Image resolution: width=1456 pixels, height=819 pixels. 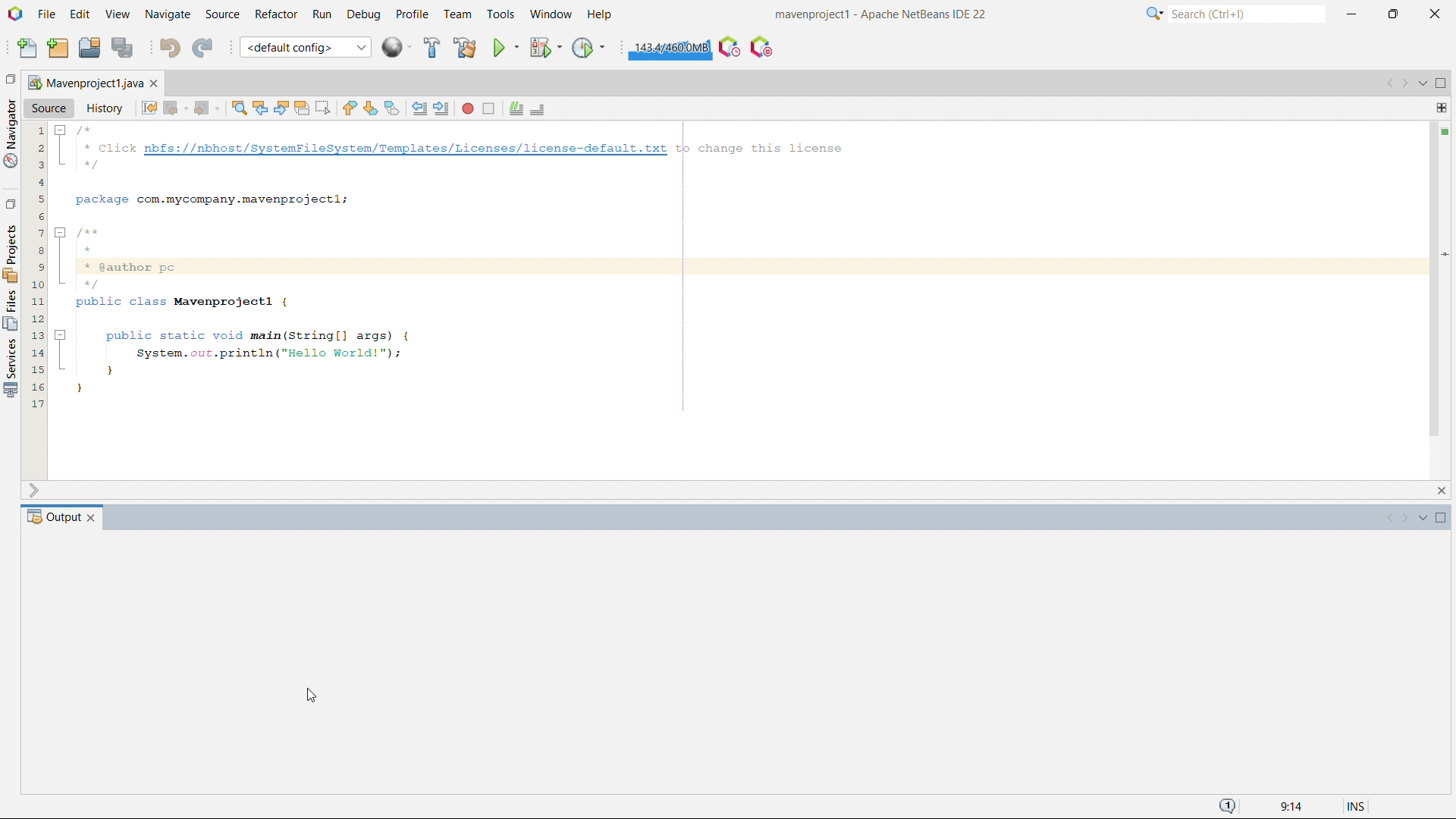 What do you see at coordinates (704, 255) in the screenshot?
I see `A simple Java class that prints "Hello World" to the console.` at bounding box center [704, 255].